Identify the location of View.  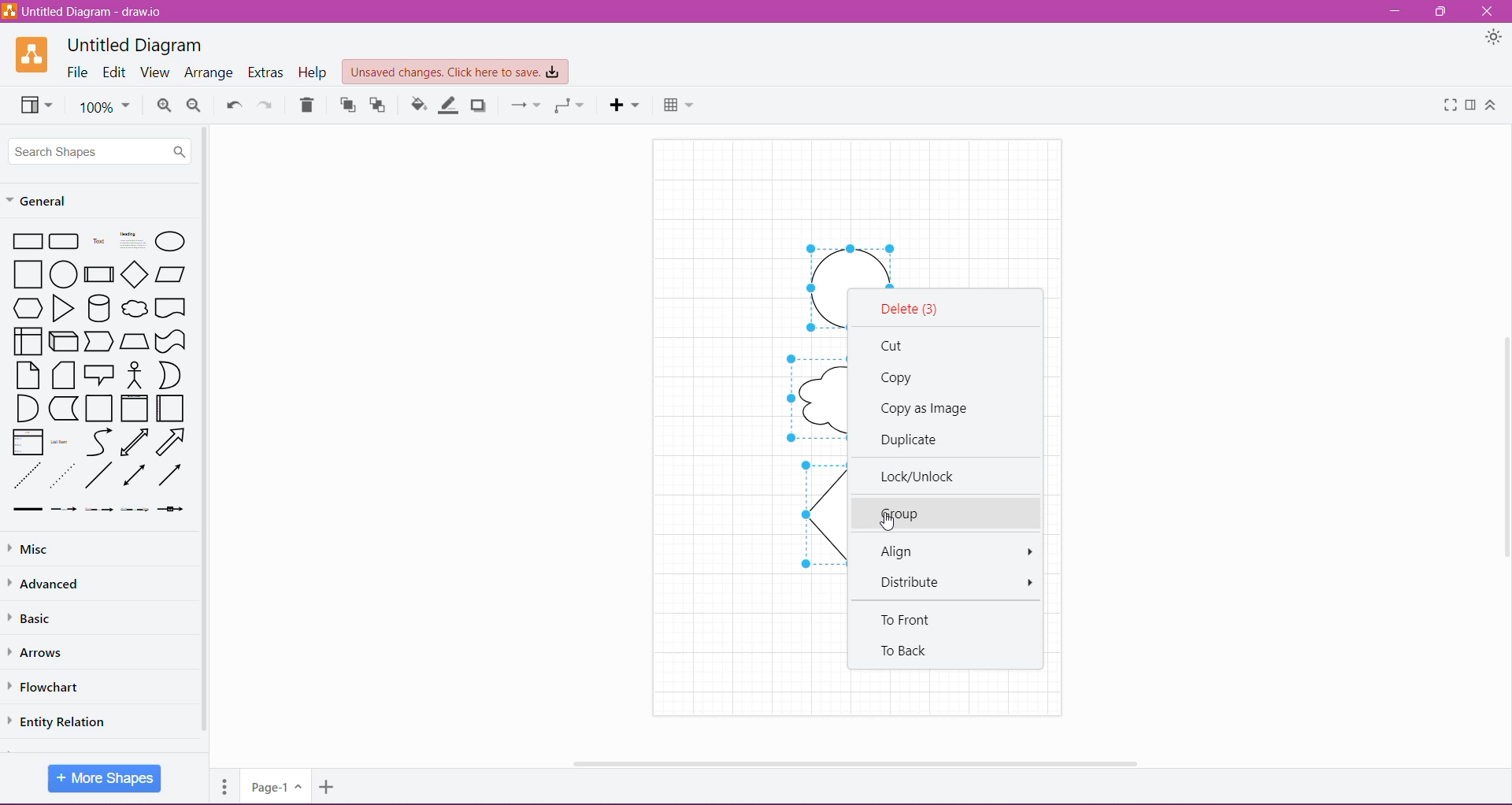
(33, 104).